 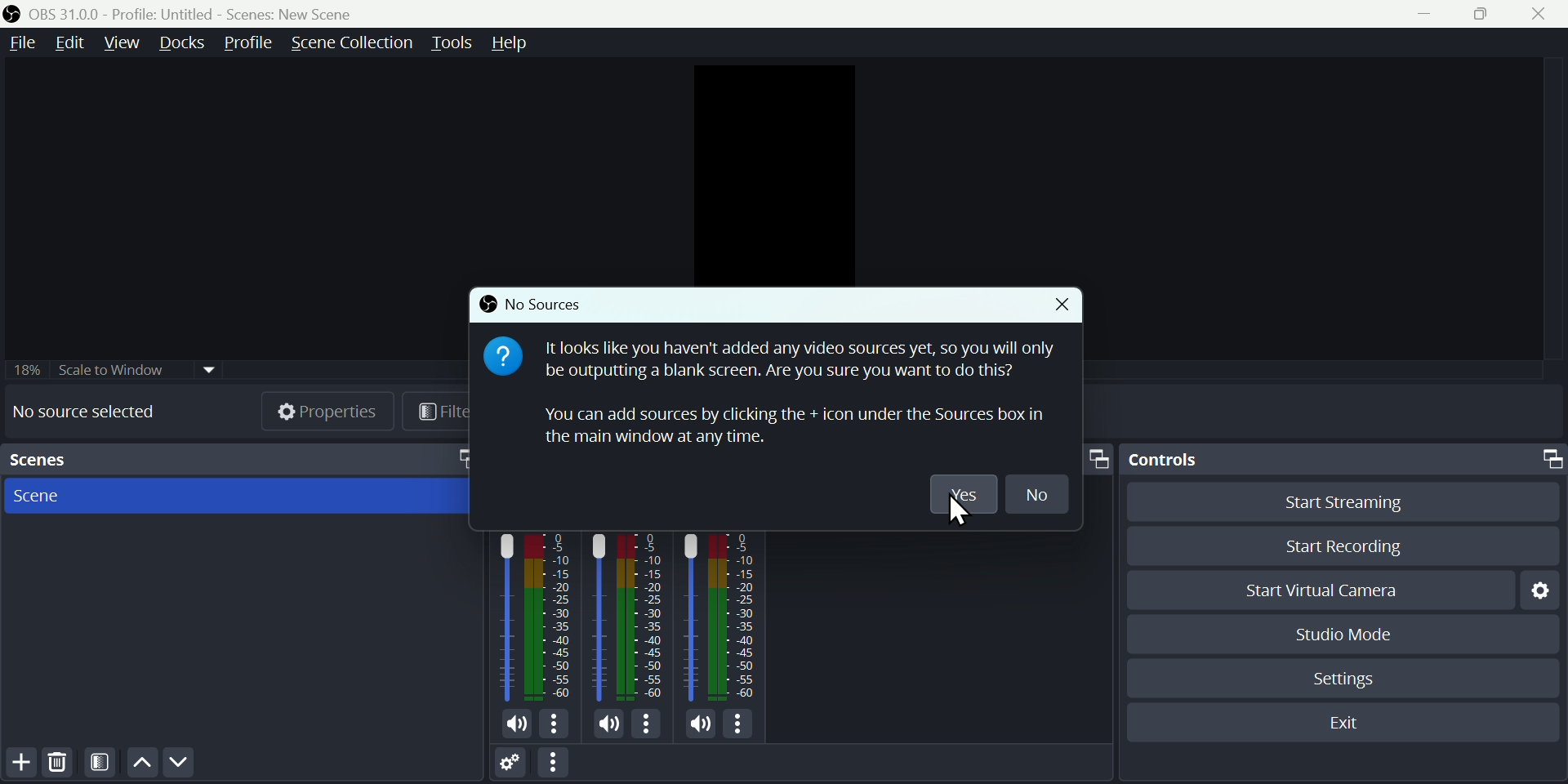 What do you see at coordinates (177, 762) in the screenshot?
I see `Down` at bounding box center [177, 762].